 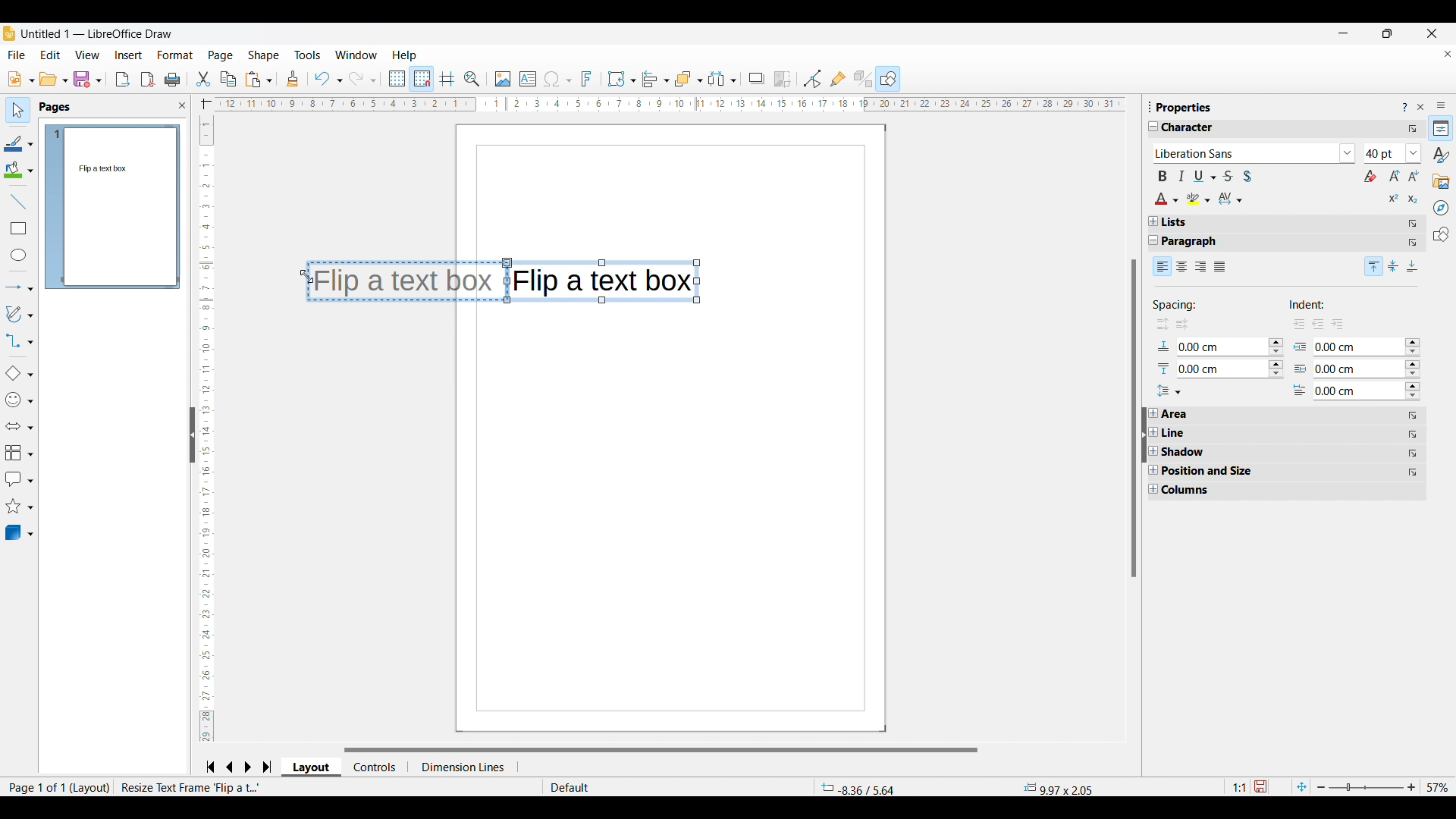 What do you see at coordinates (328, 79) in the screenshot?
I see `Undo` at bounding box center [328, 79].